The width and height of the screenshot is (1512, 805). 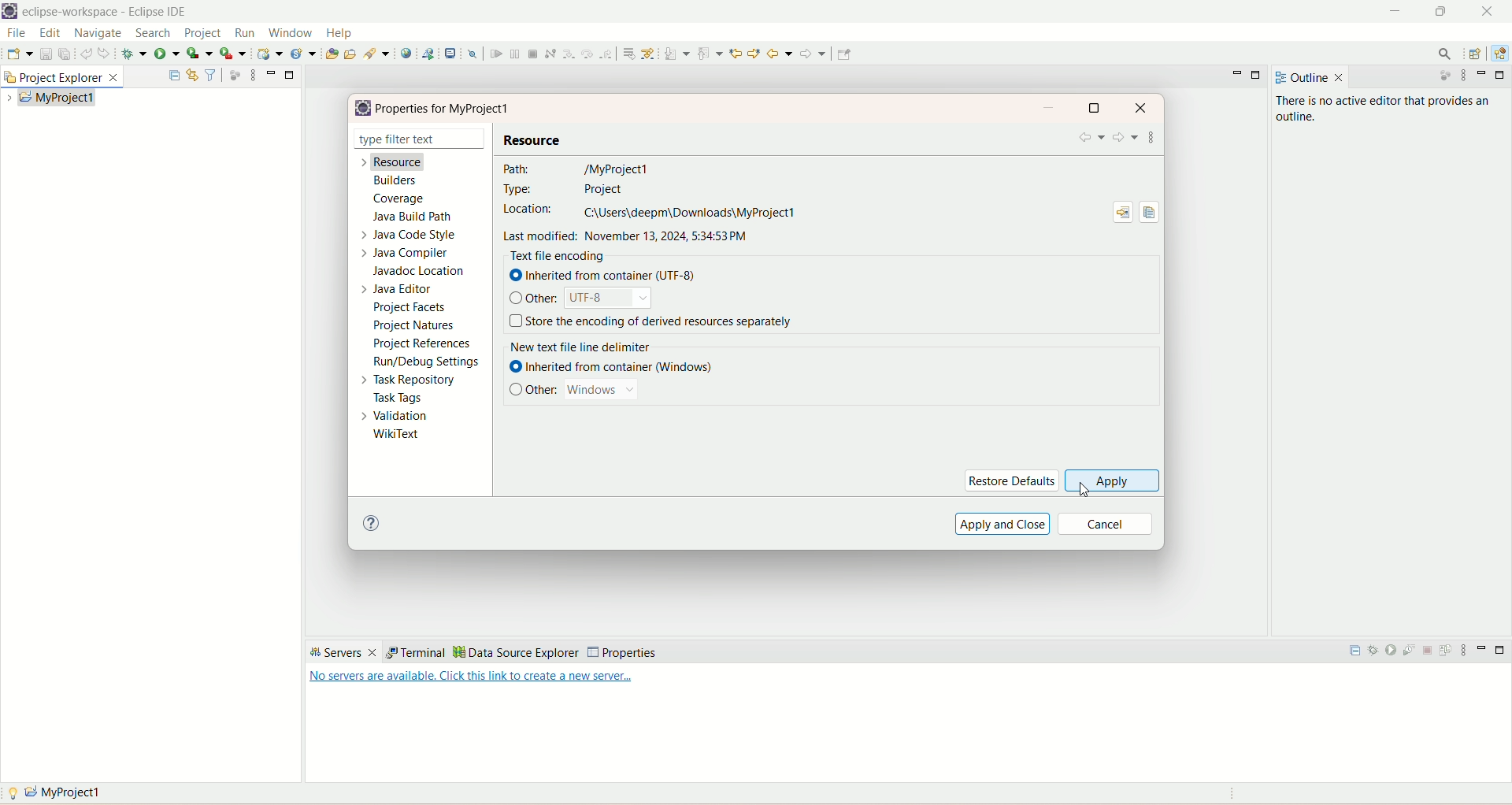 What do you see at coordinates (233, 74) in the screenshot?
I see `focus on active task` at bounding box center [233, 74].